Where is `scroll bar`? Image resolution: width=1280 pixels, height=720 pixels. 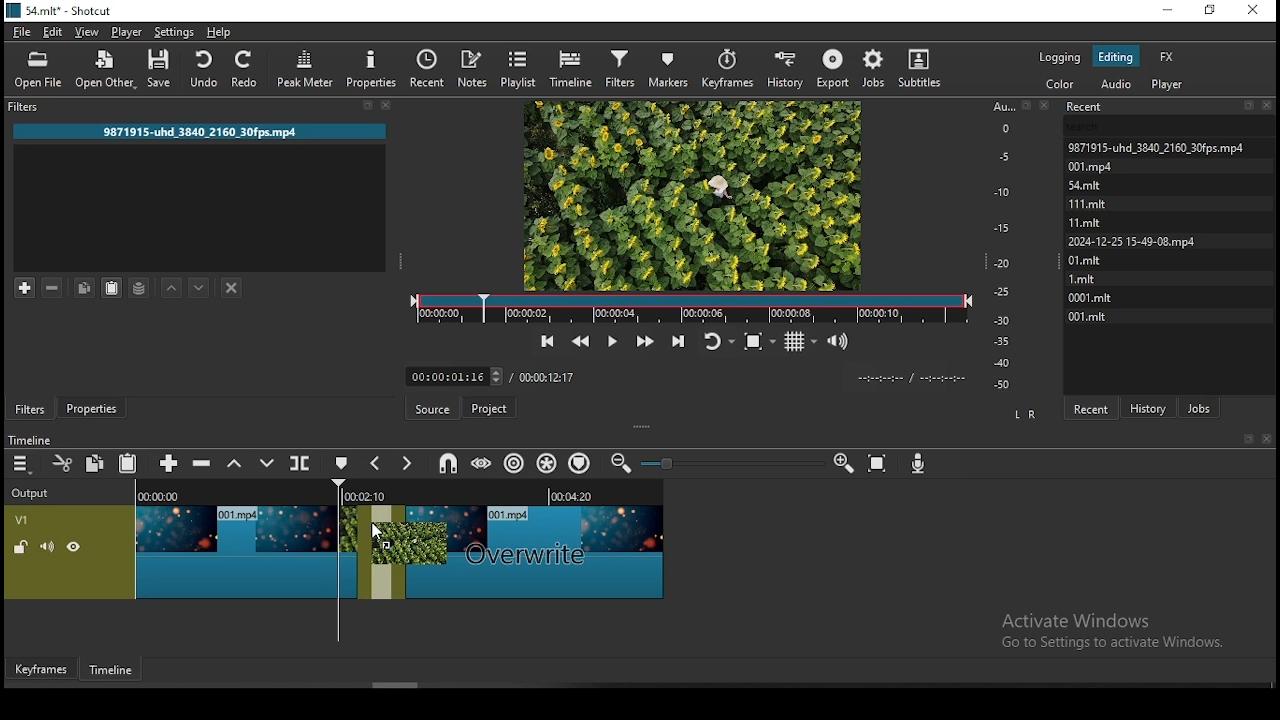 scroll bar is located at coordinates (404, 685).